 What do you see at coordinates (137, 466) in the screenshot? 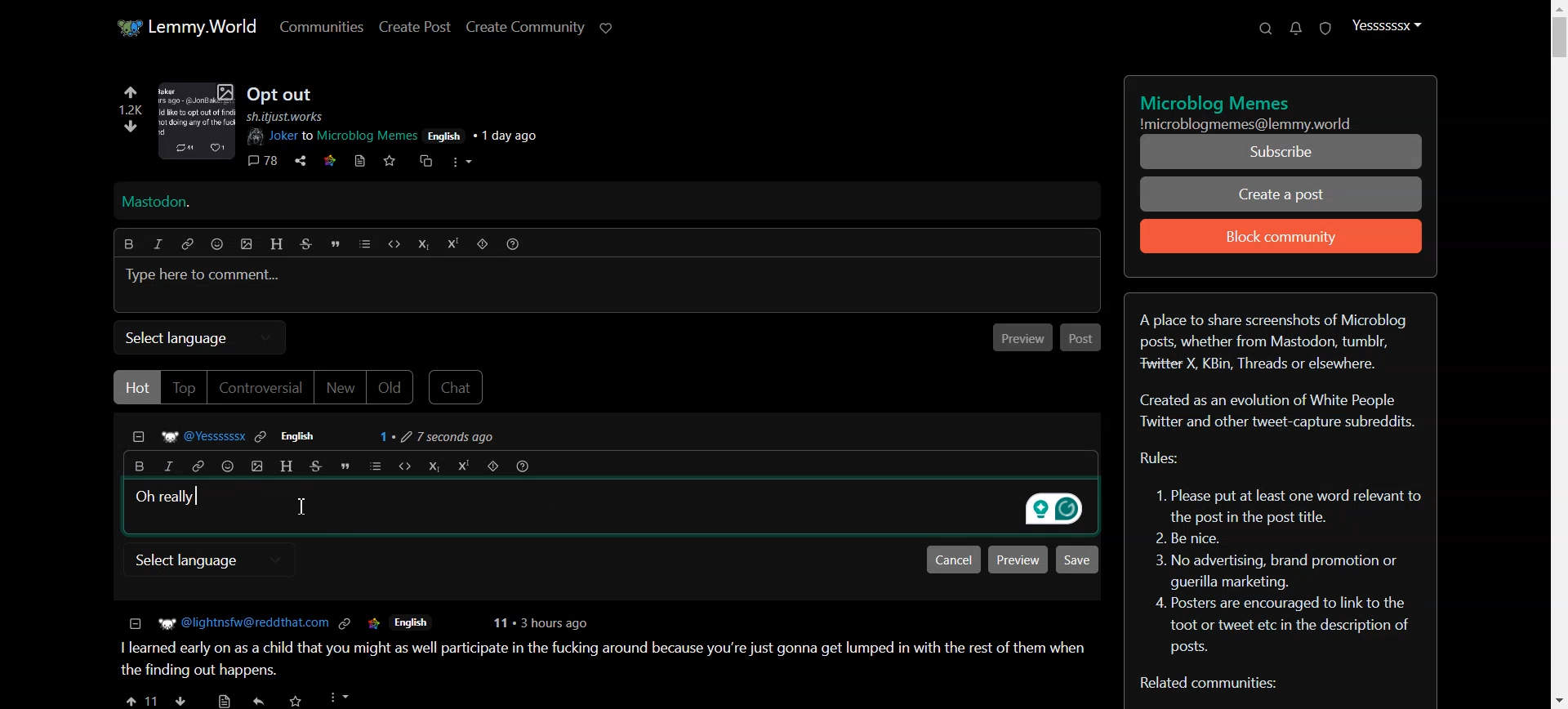
I see `Bold ` at bounding box center [137, 466].